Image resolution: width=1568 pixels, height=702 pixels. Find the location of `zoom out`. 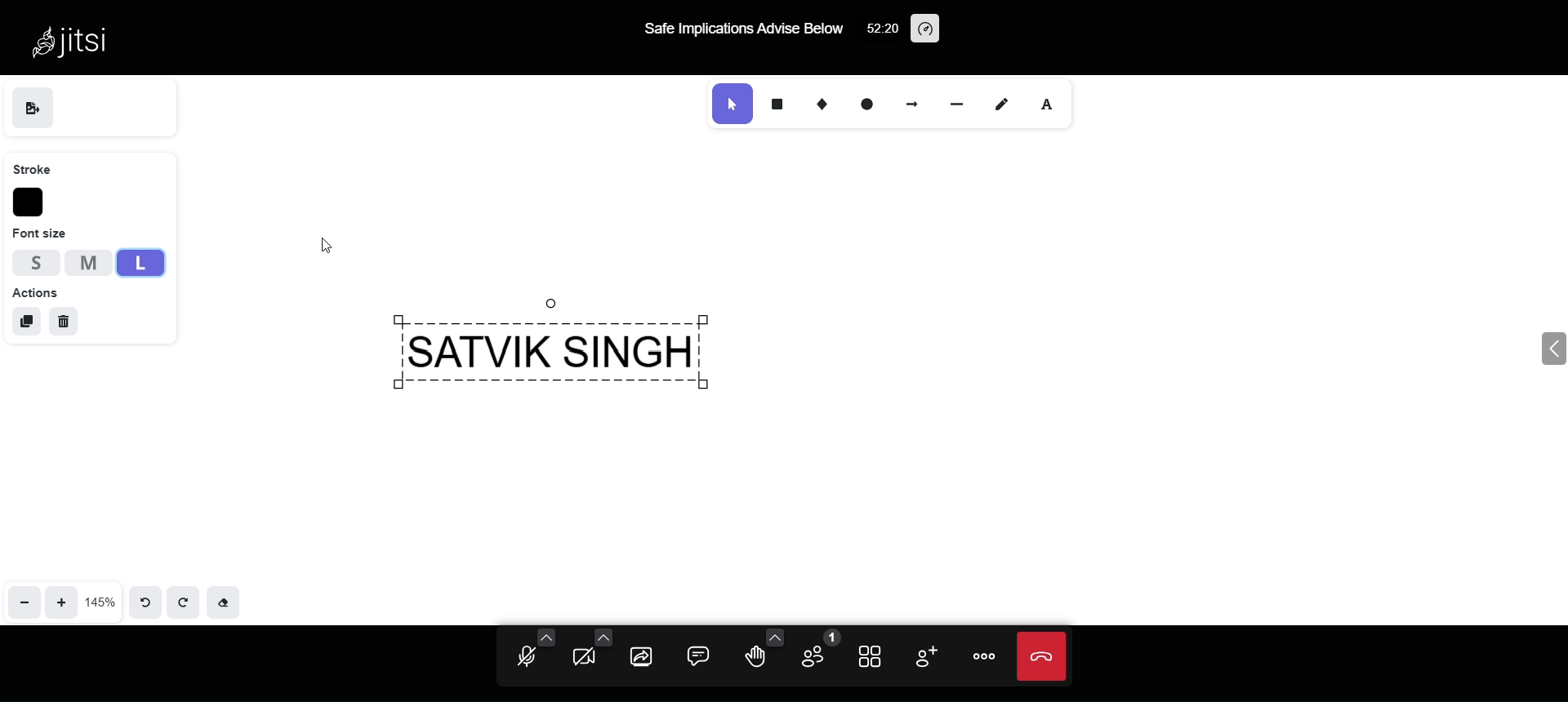

zoom out is located at coordinates (24, 598).